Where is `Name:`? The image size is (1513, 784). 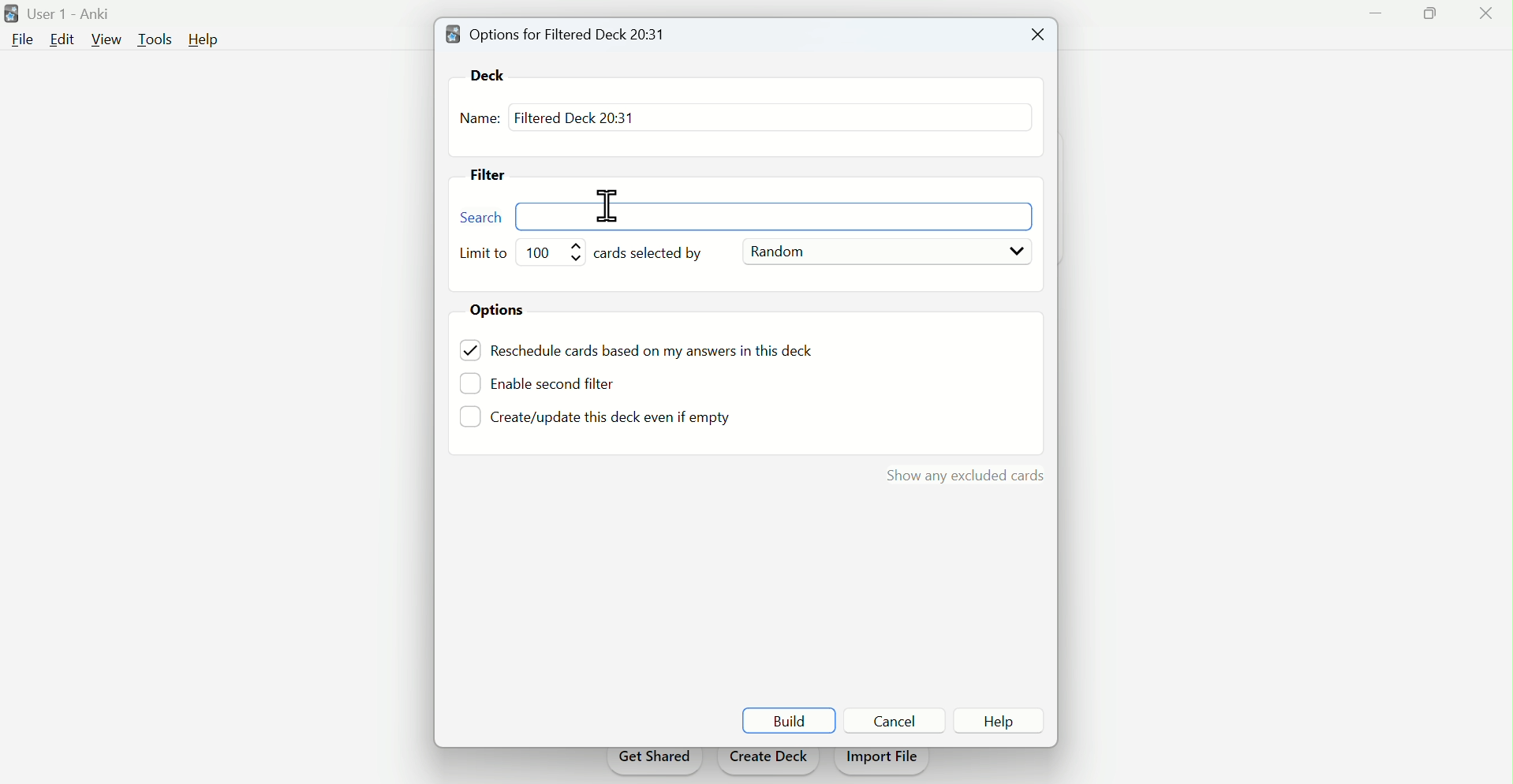
Name: is located at coordinates (480, 120).